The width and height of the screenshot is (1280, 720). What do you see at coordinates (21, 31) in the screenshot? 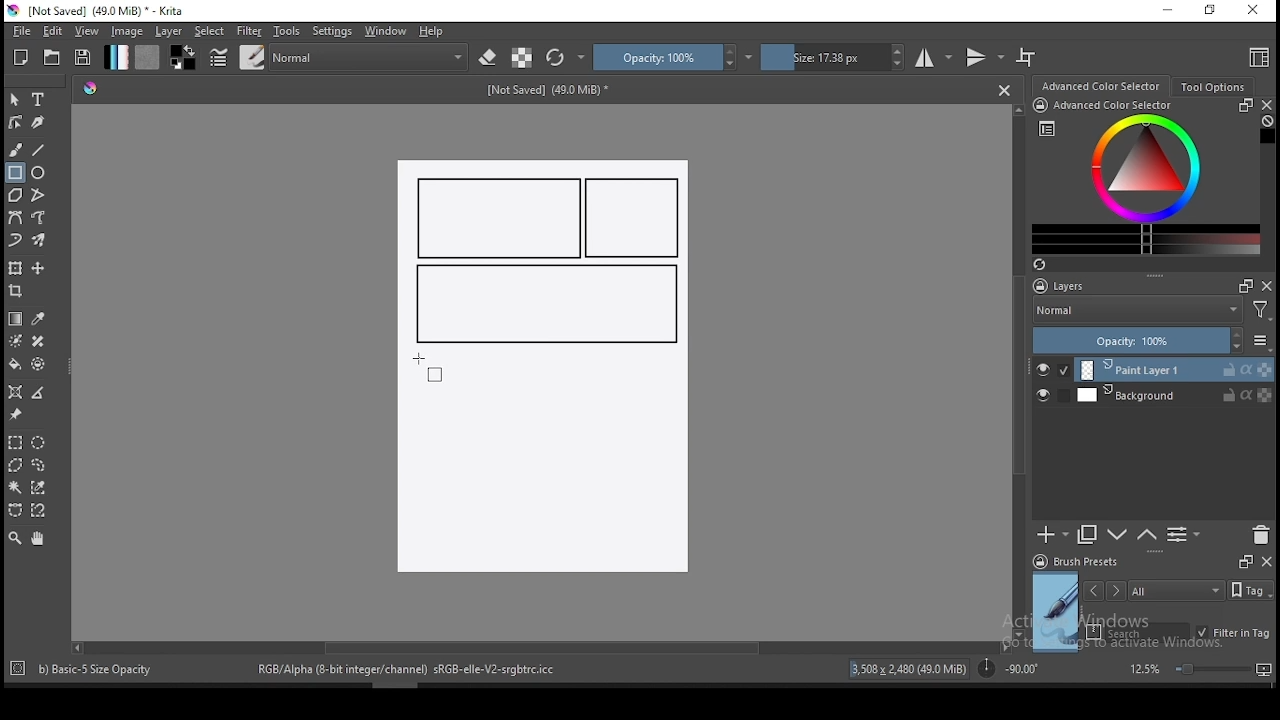
I see `file` at bounding box center [21, 31].